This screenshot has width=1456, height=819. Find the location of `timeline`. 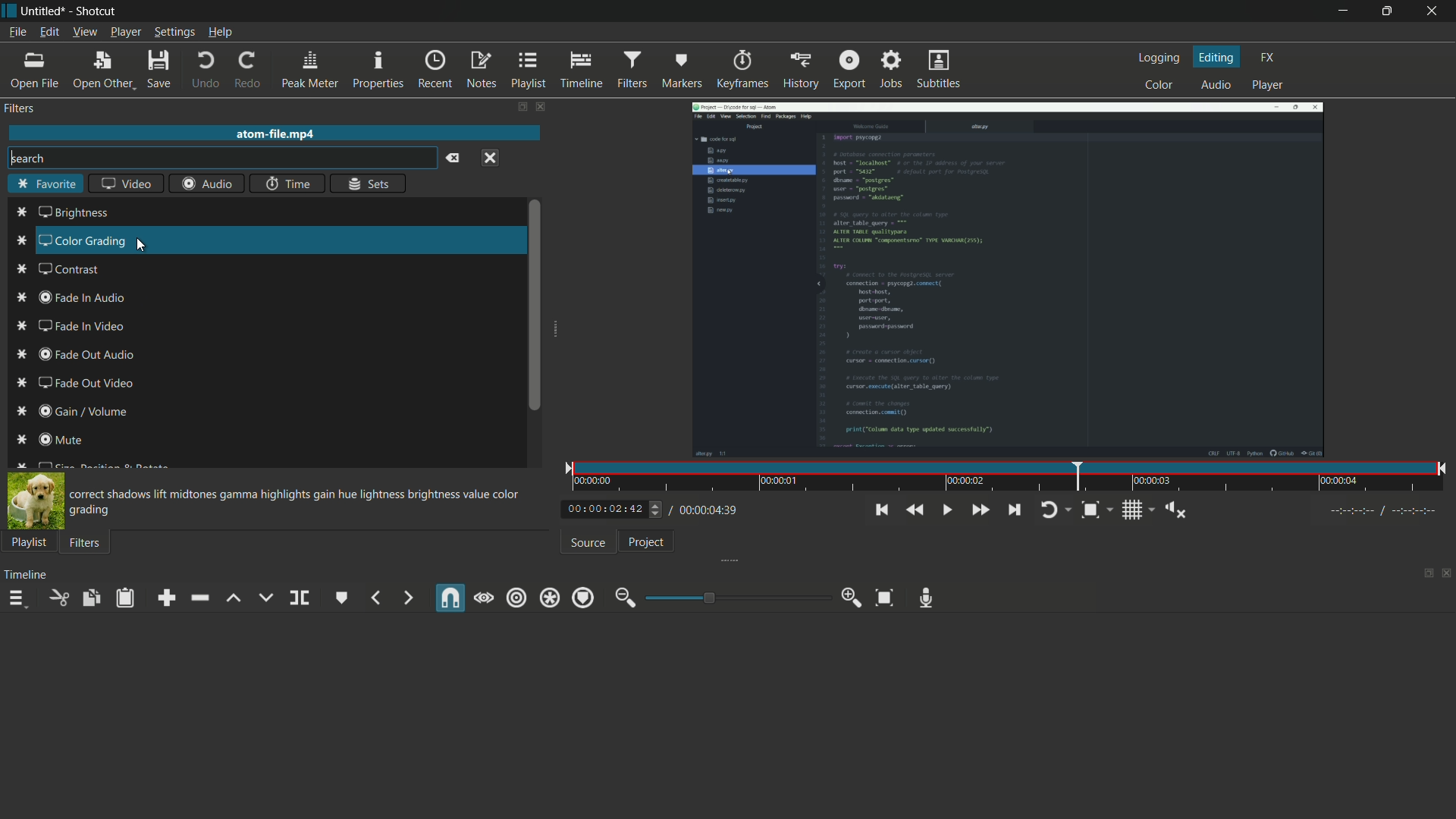

timeline is located at coordinates (579, 70).